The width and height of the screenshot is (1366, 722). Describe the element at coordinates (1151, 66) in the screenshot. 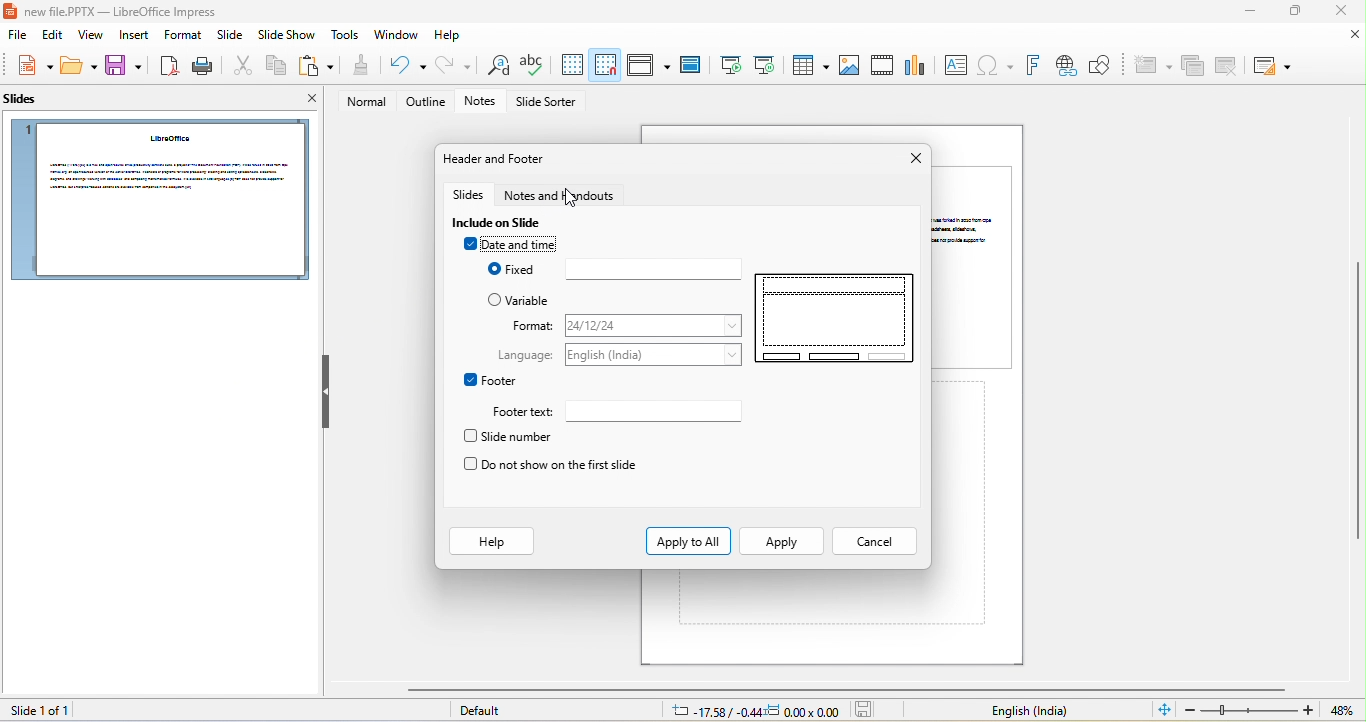

I see `new slide` at that location.